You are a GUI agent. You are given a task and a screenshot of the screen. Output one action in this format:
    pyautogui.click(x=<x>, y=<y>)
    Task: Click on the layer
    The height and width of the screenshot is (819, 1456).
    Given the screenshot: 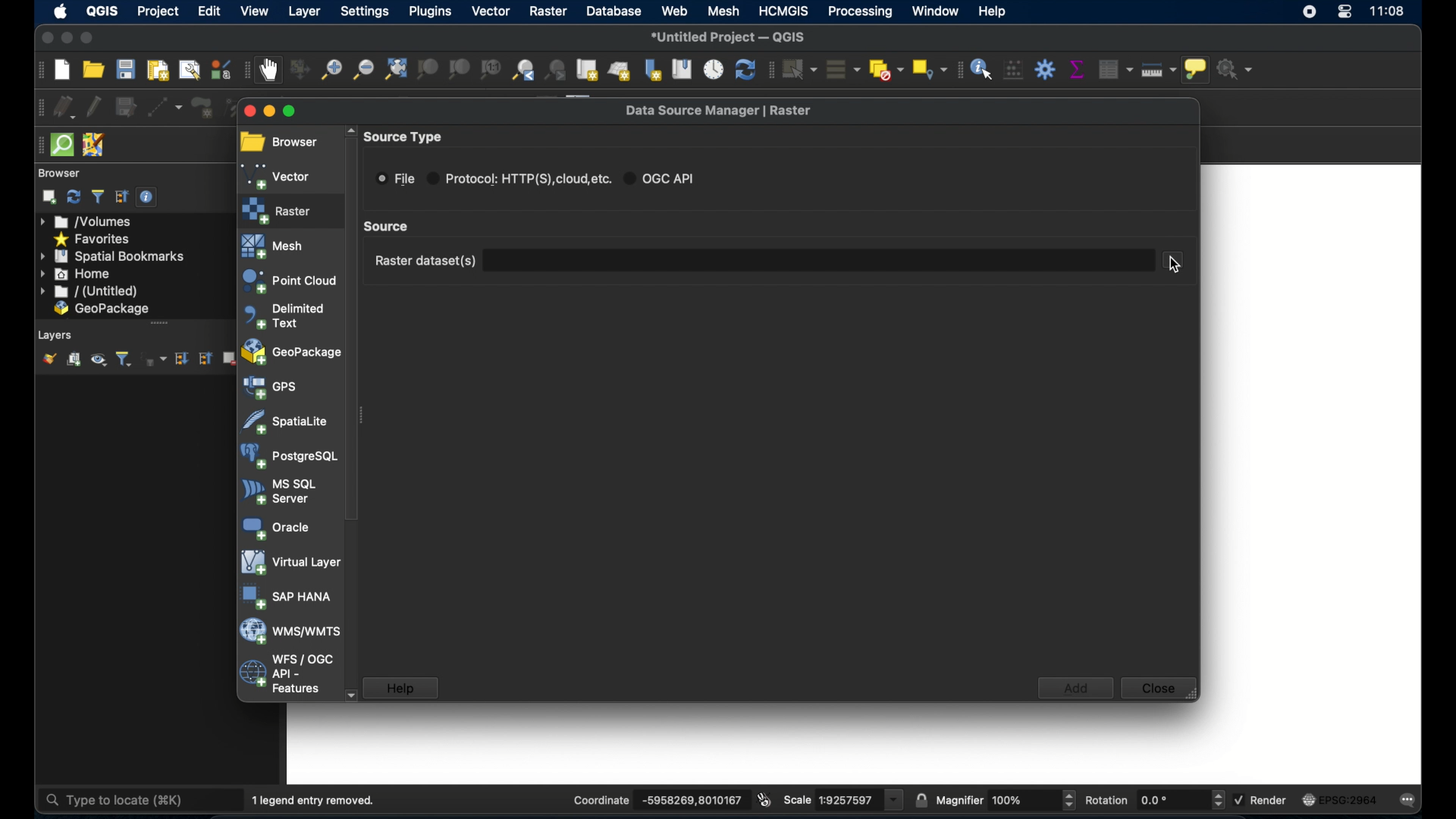 What is the action you would take?
    pyautogui.click(x=306, y=14)
    